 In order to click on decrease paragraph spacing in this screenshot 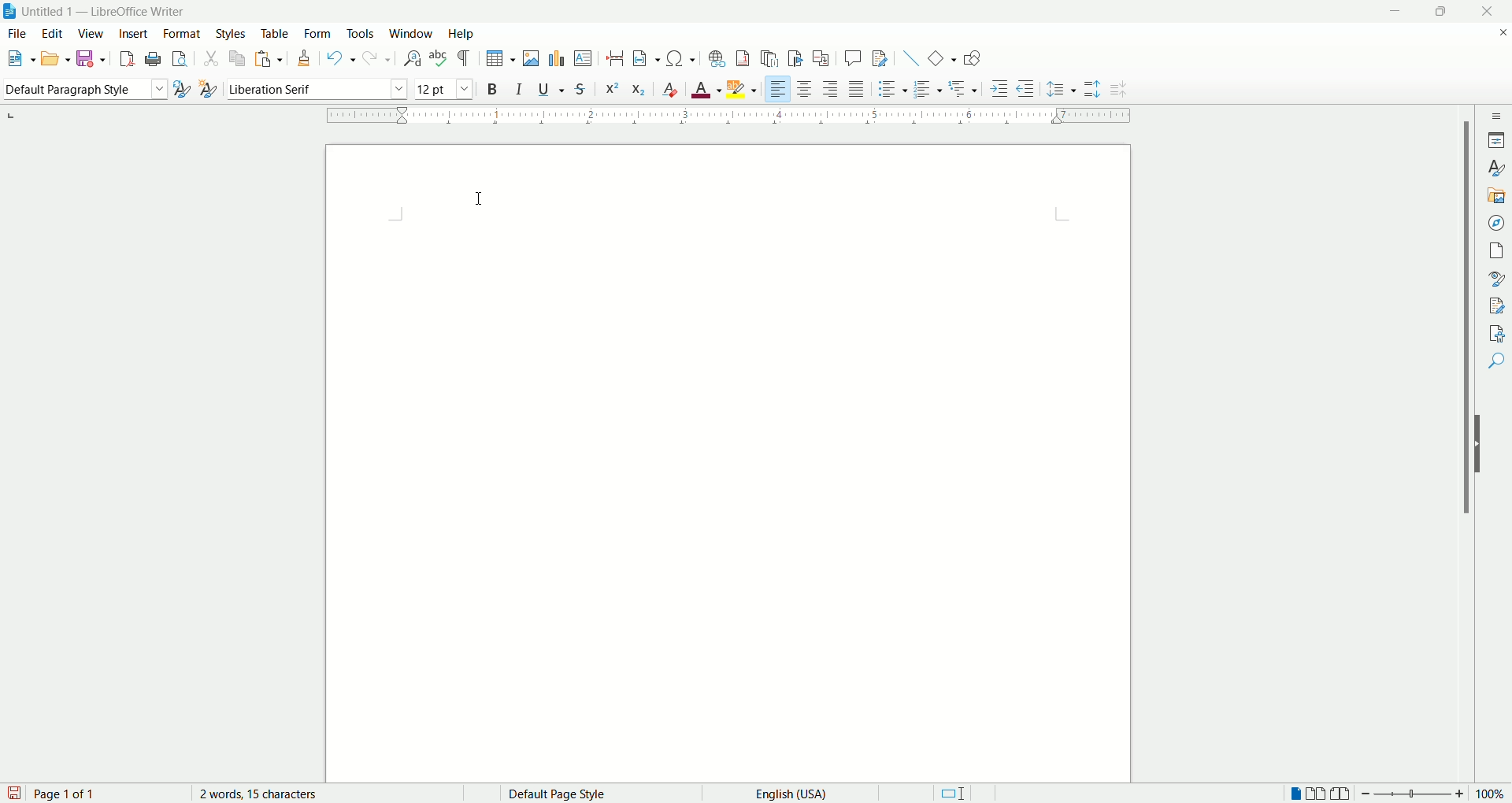, I will do `click(1121, 89)`.